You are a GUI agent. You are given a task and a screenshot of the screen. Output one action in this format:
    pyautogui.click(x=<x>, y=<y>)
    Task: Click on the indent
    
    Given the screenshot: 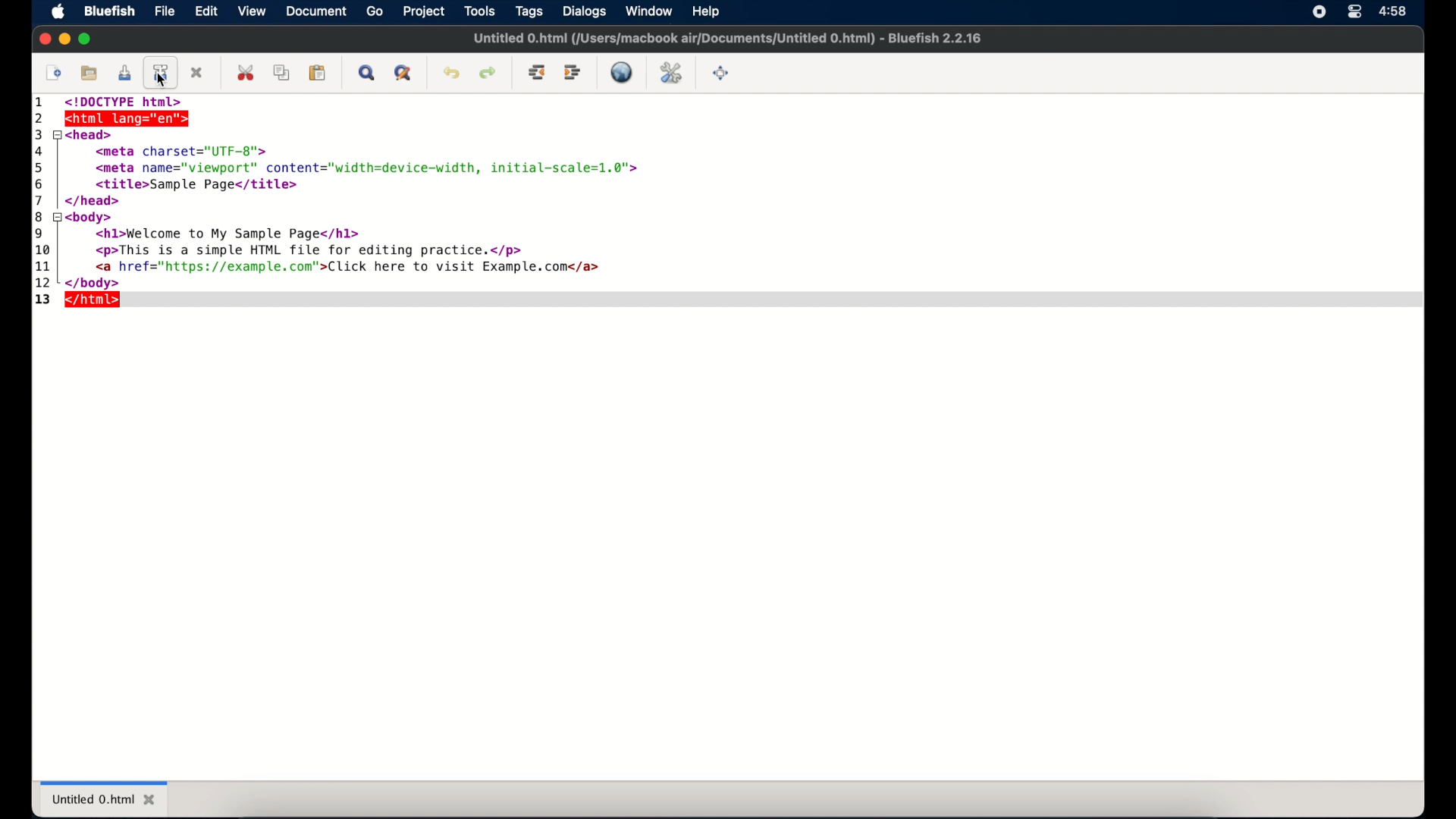 What is the action you would take?
    pyautogui.click(x=573, y=73)
    